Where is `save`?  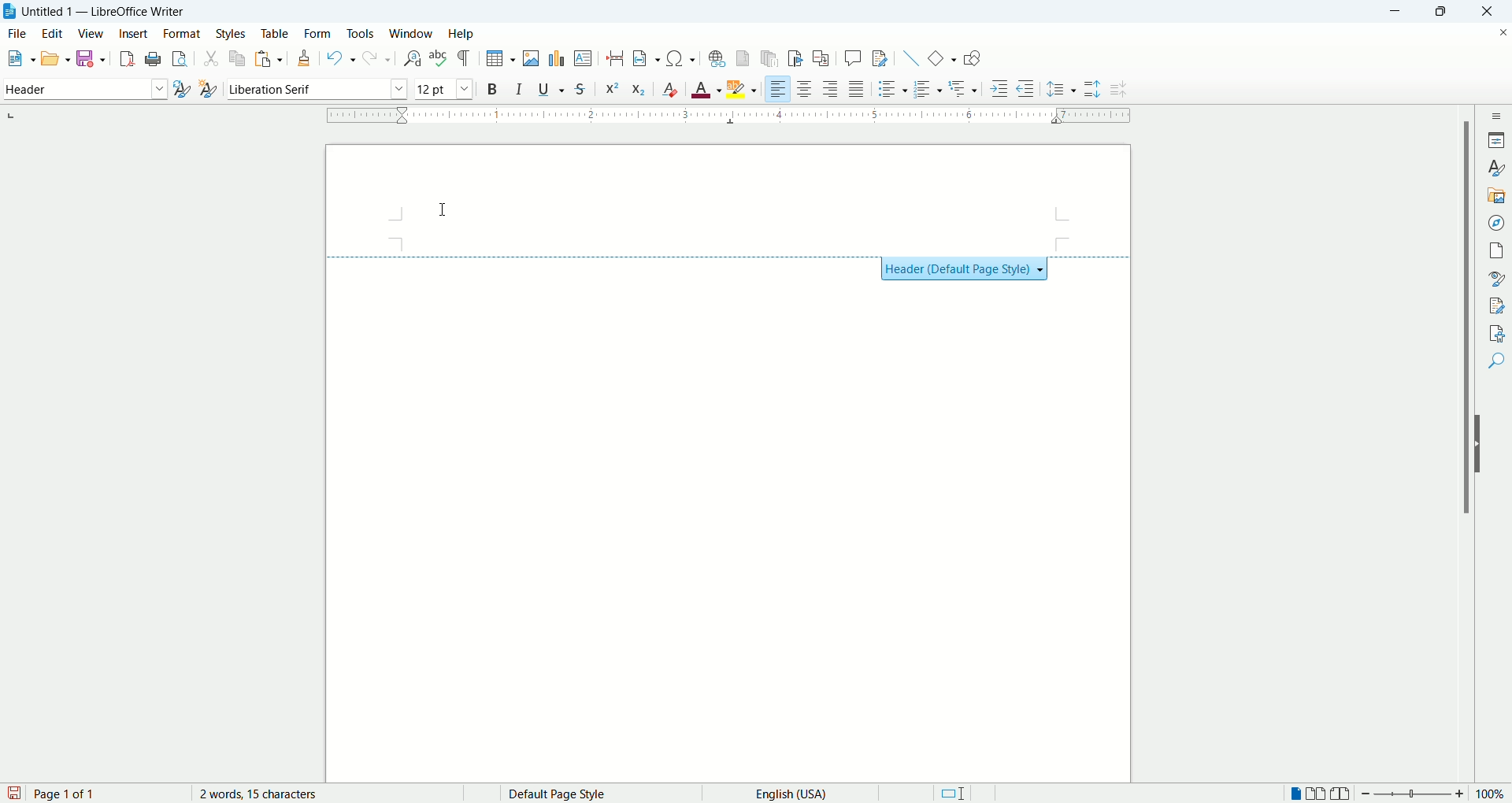
save is located at coordinates (15, 791).